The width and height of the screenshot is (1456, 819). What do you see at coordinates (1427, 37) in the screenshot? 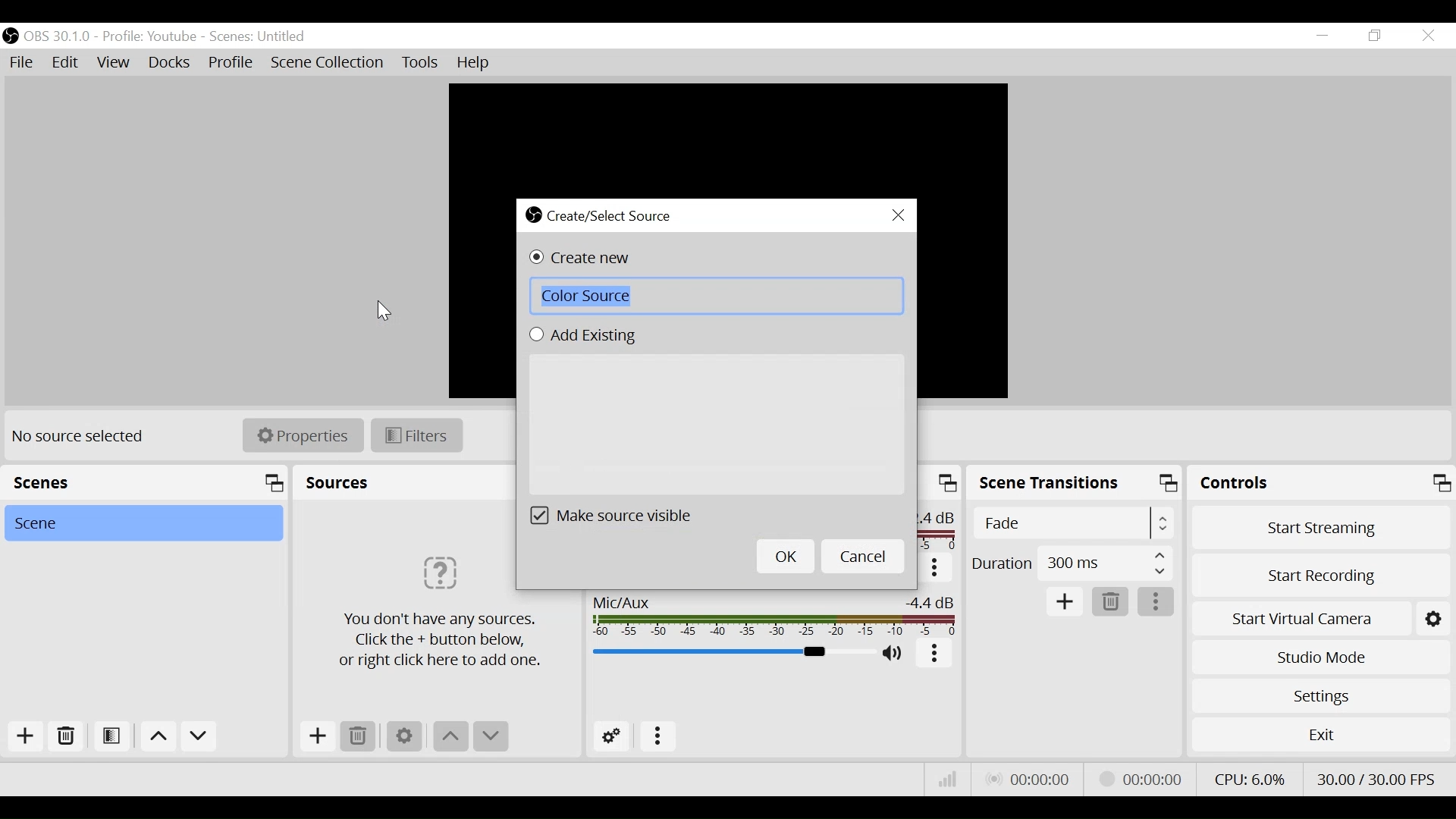
I see `Close` at bounding box center [1427, 37].